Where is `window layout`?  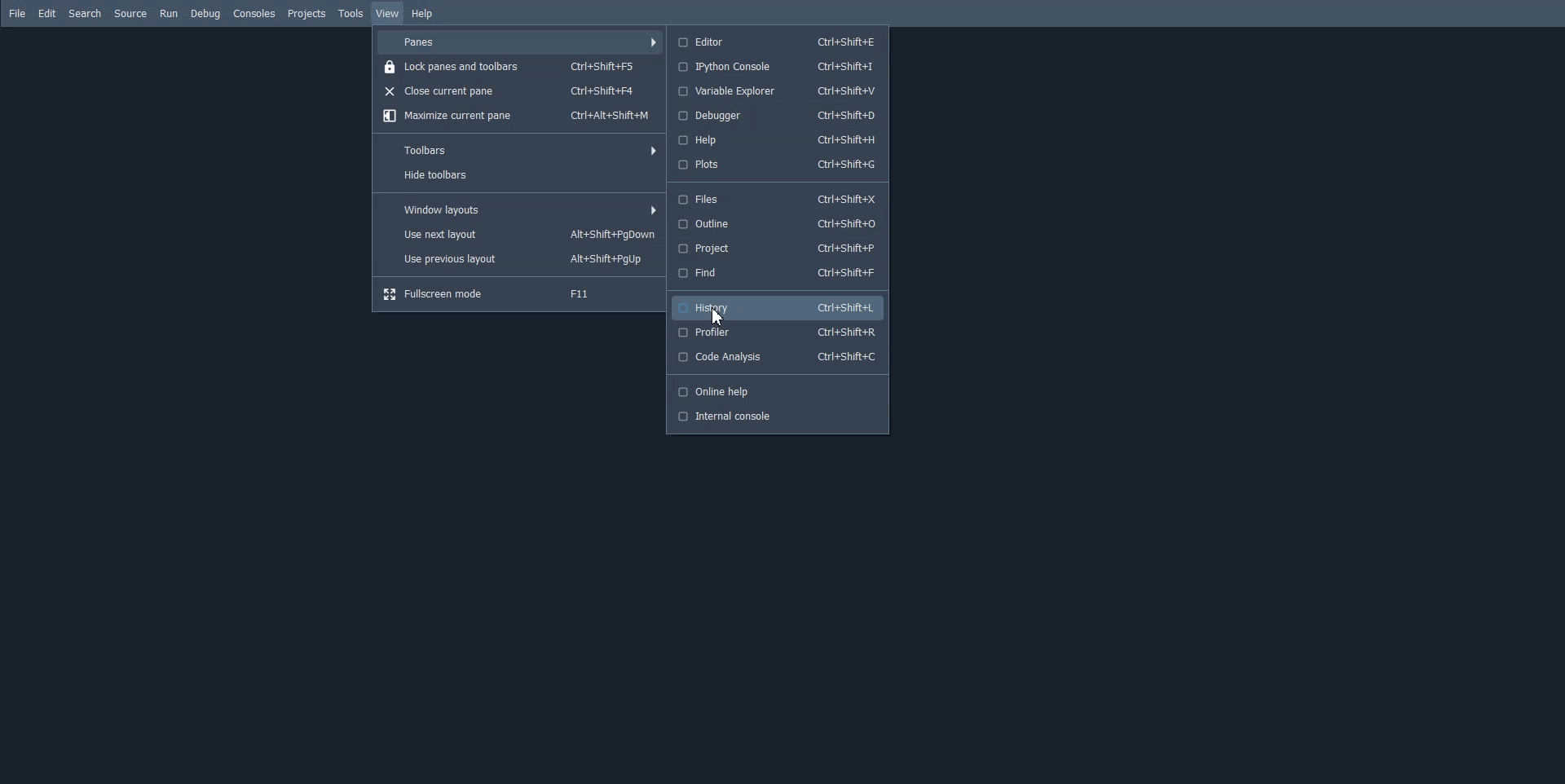 window layout is located at coordinates (519, 209).